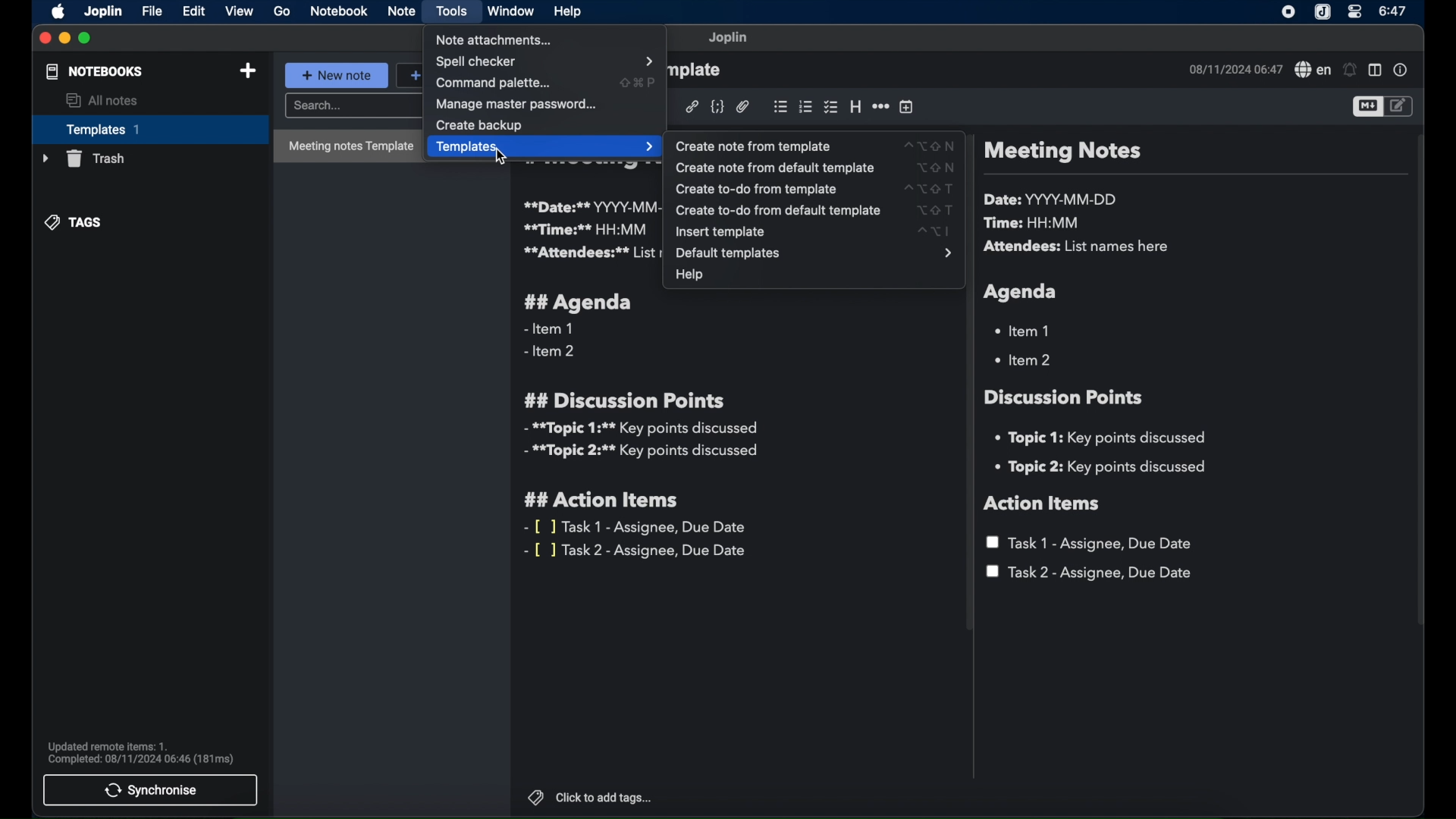 This screenshot has height=819, width=1456. I want to click on spell checker, so click(1311, 71).